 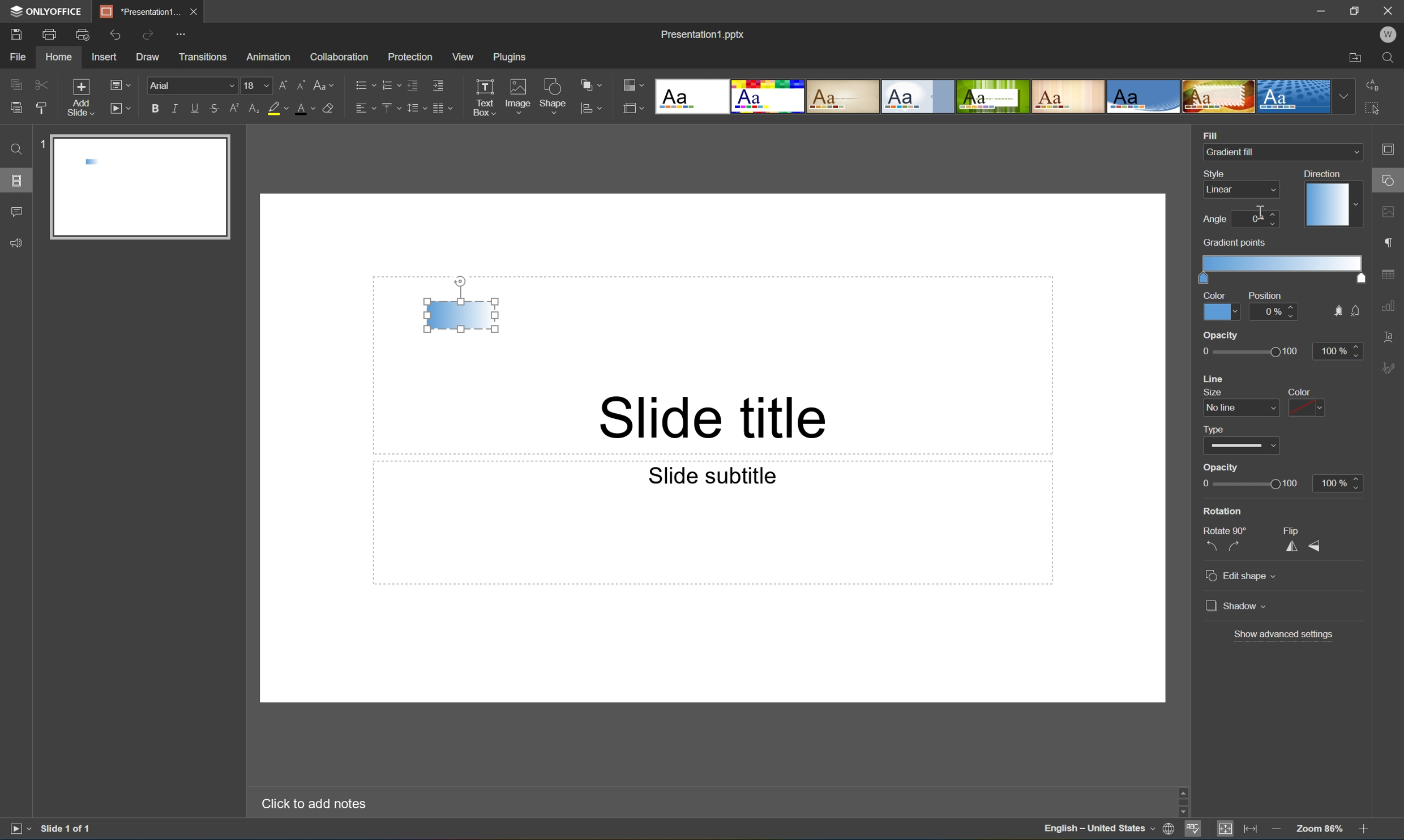 I want to click on Underline, so click(x=195, y=106).